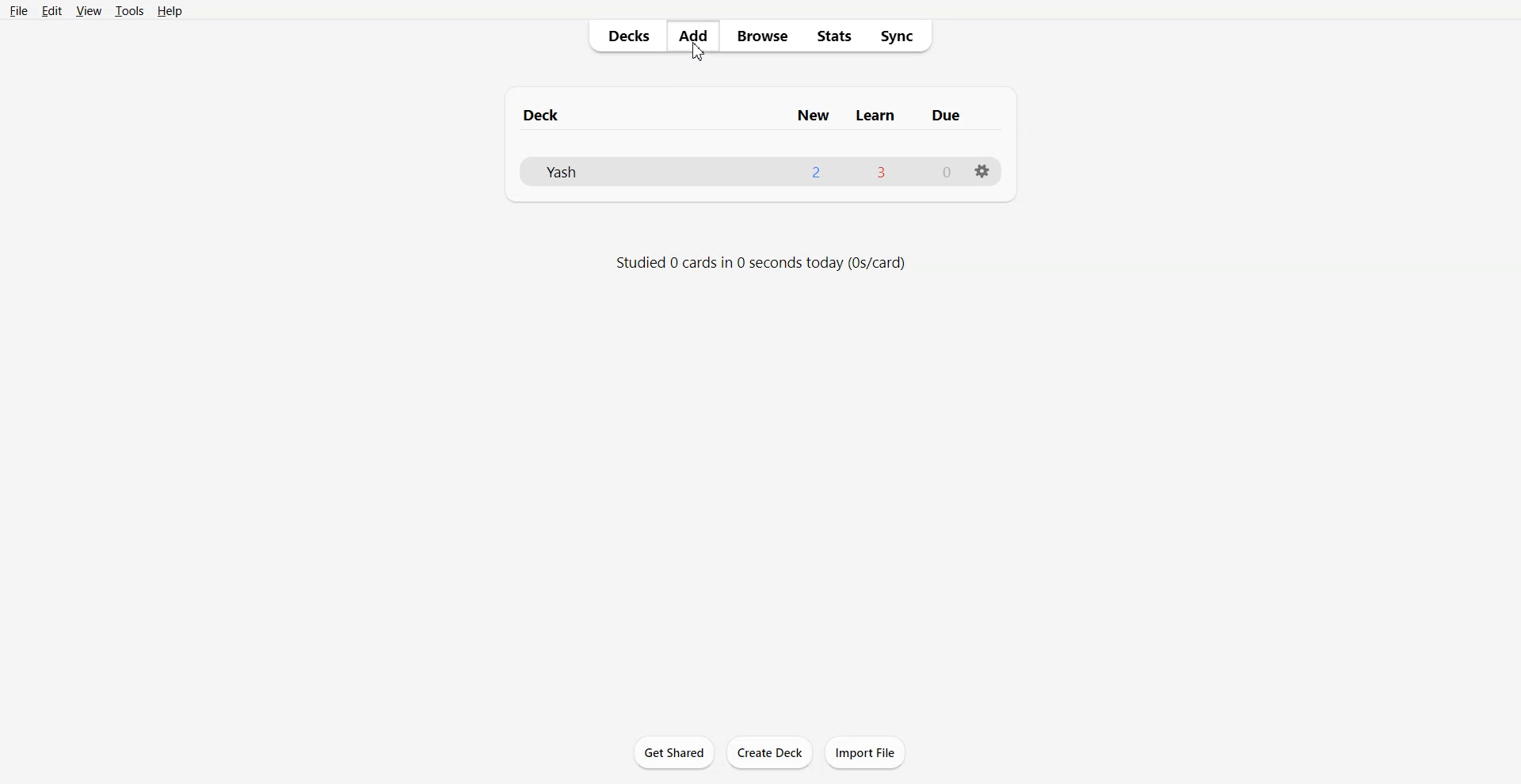  Describe the element at coordinates (675, 752) in the screenshot. I see `Get Shared` at that location.